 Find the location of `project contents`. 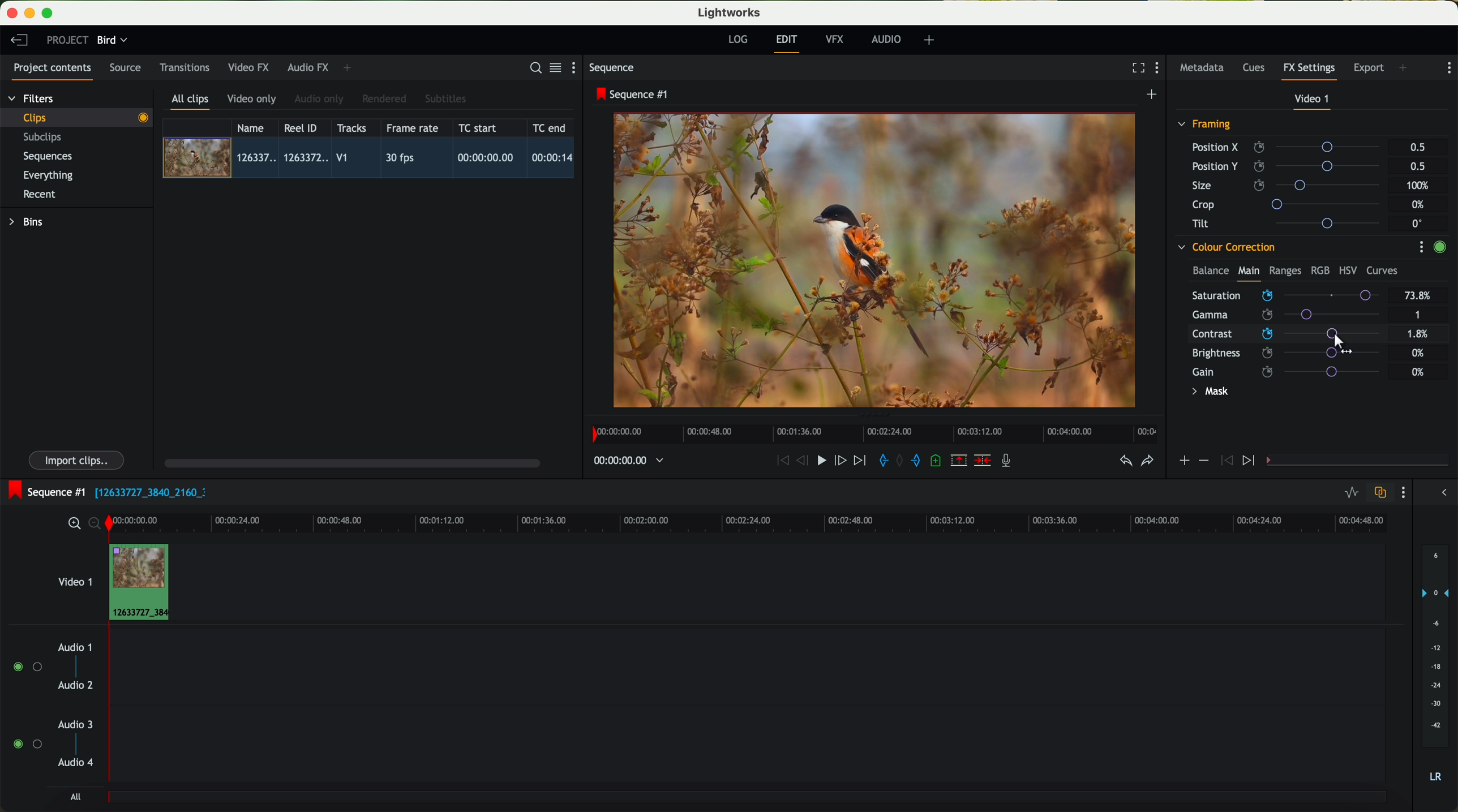

project contents is located at coordinates (53, 71).